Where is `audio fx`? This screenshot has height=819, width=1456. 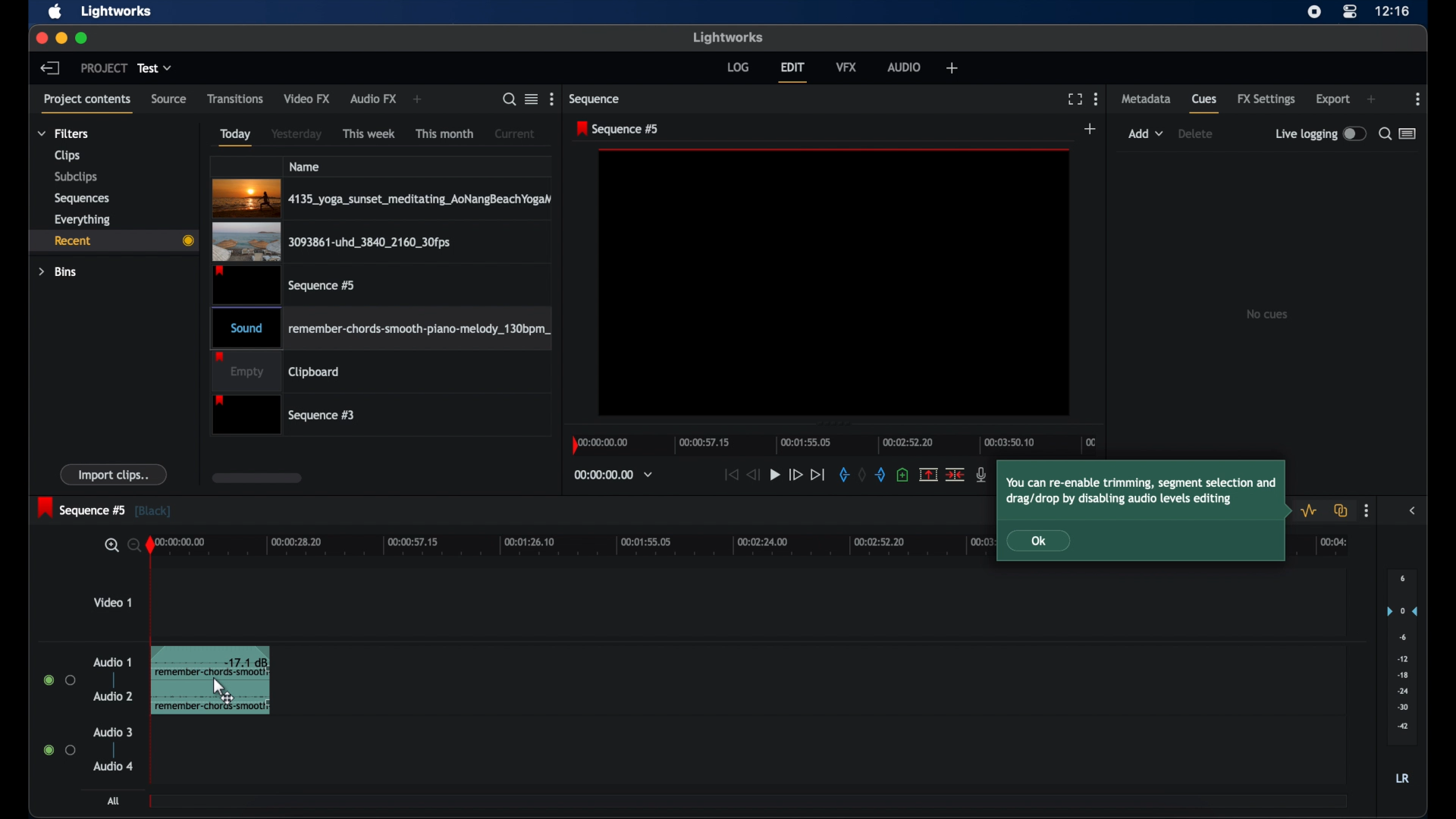 audio fx is located at coordinates (372, 99).